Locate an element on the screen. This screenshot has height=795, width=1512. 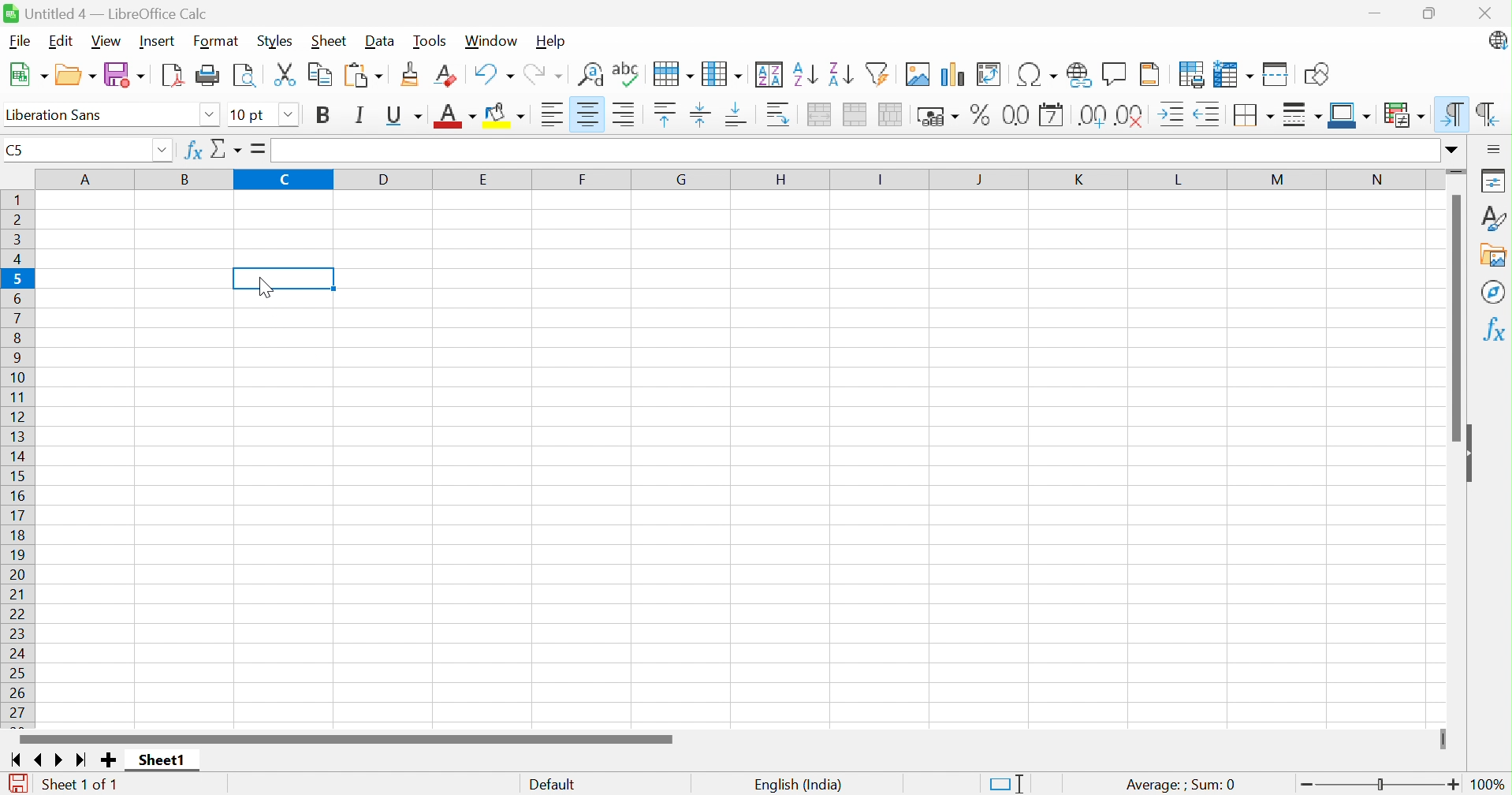
Insert Chart is located at coordinates (952, 73).